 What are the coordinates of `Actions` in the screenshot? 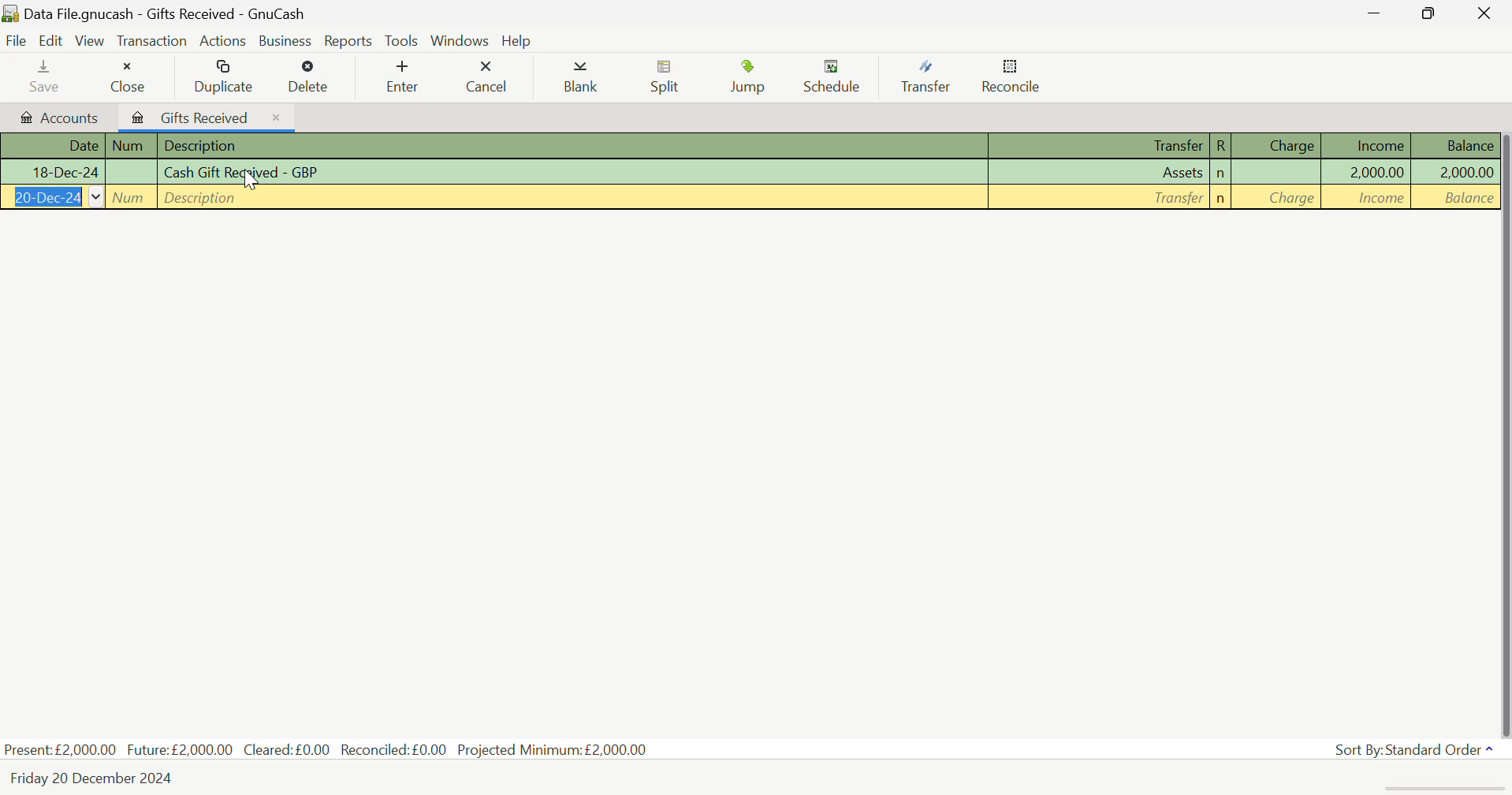 It's located at (222, 40).